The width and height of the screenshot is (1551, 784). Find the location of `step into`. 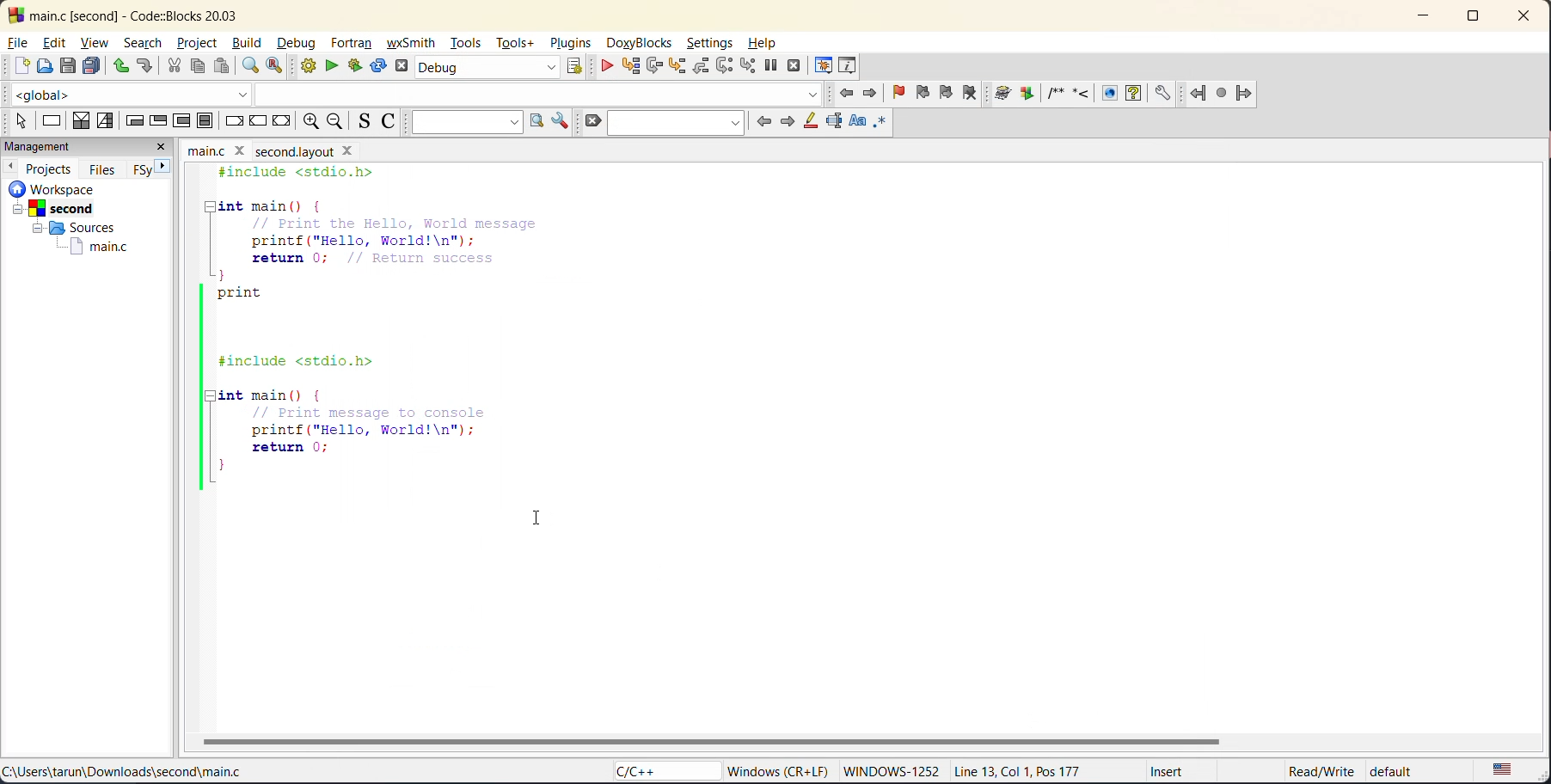

step into is located at coordinates (676, 67).